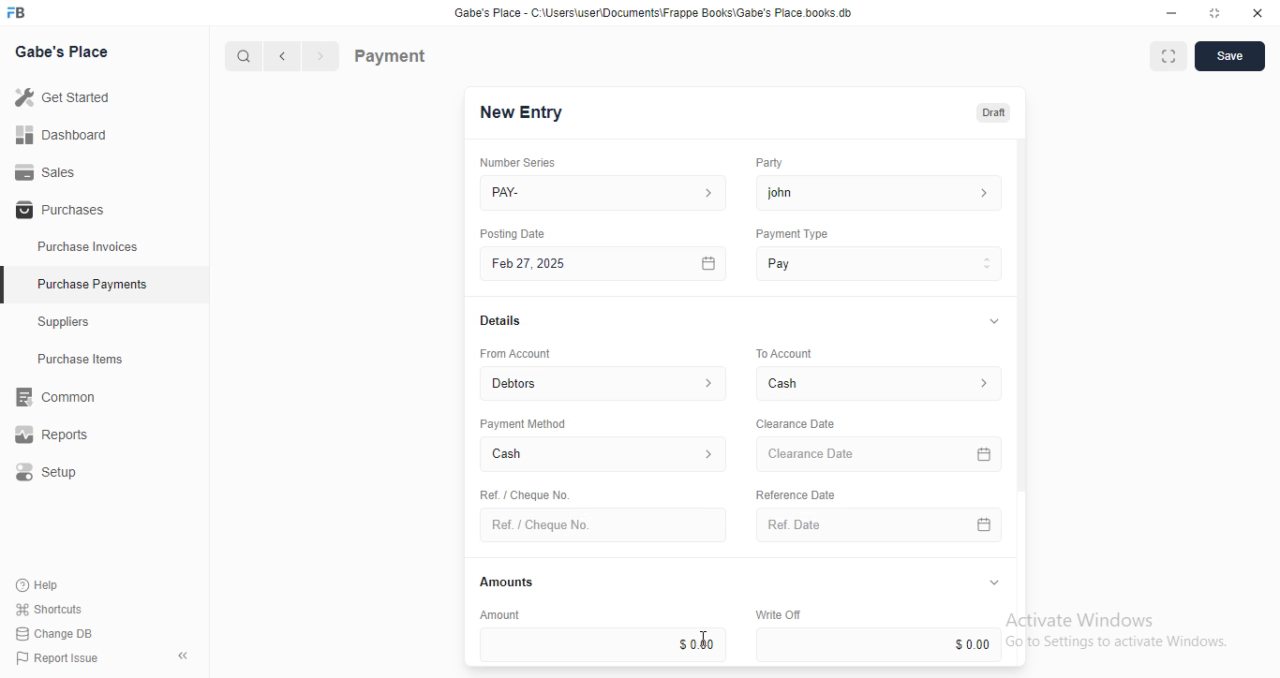 This screenshot has height=678, width=1280. I want to click on Write Off, so click(776, 614).